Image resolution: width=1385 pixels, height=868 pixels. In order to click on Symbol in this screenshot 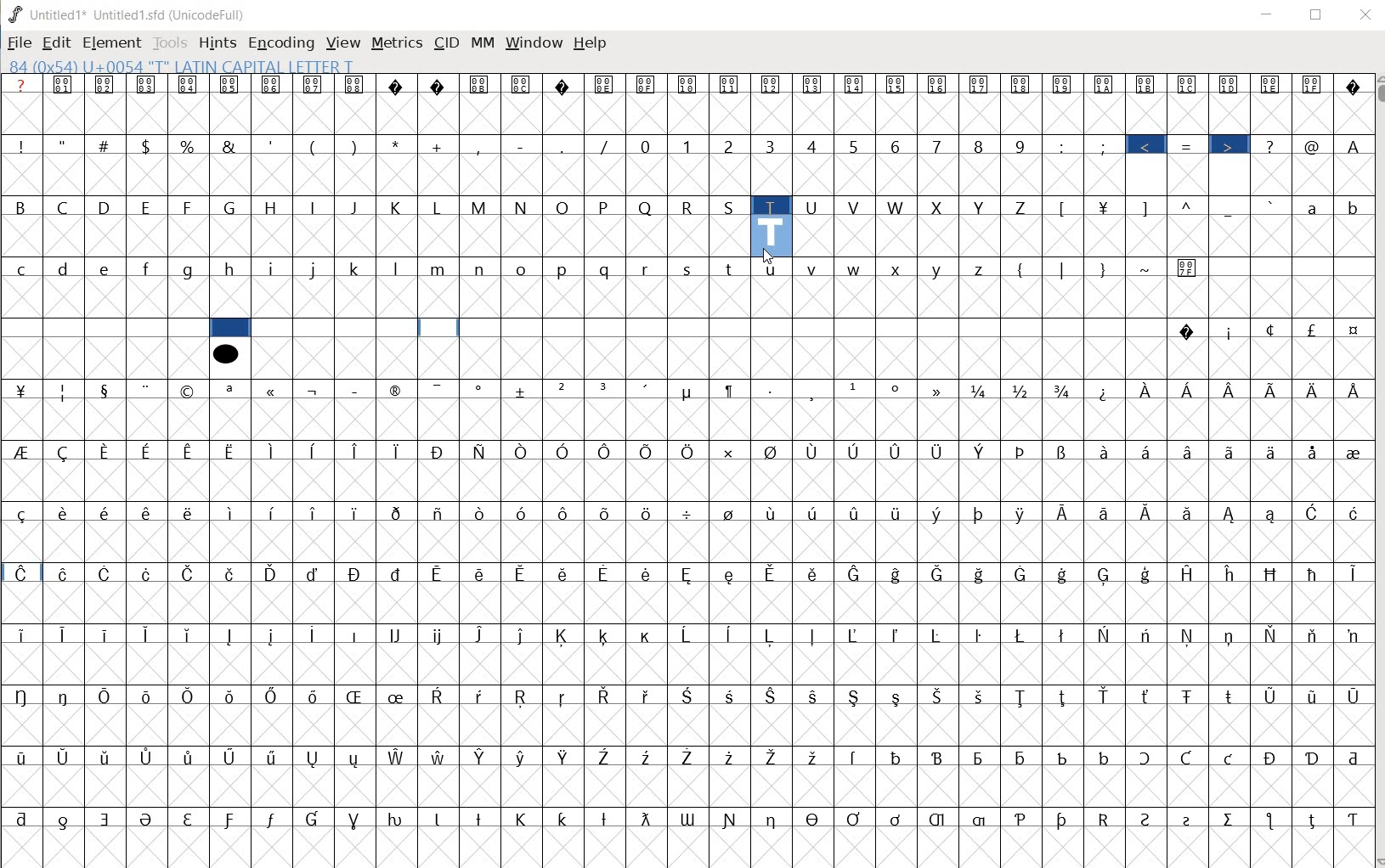, I will do `click(189, 817)`.